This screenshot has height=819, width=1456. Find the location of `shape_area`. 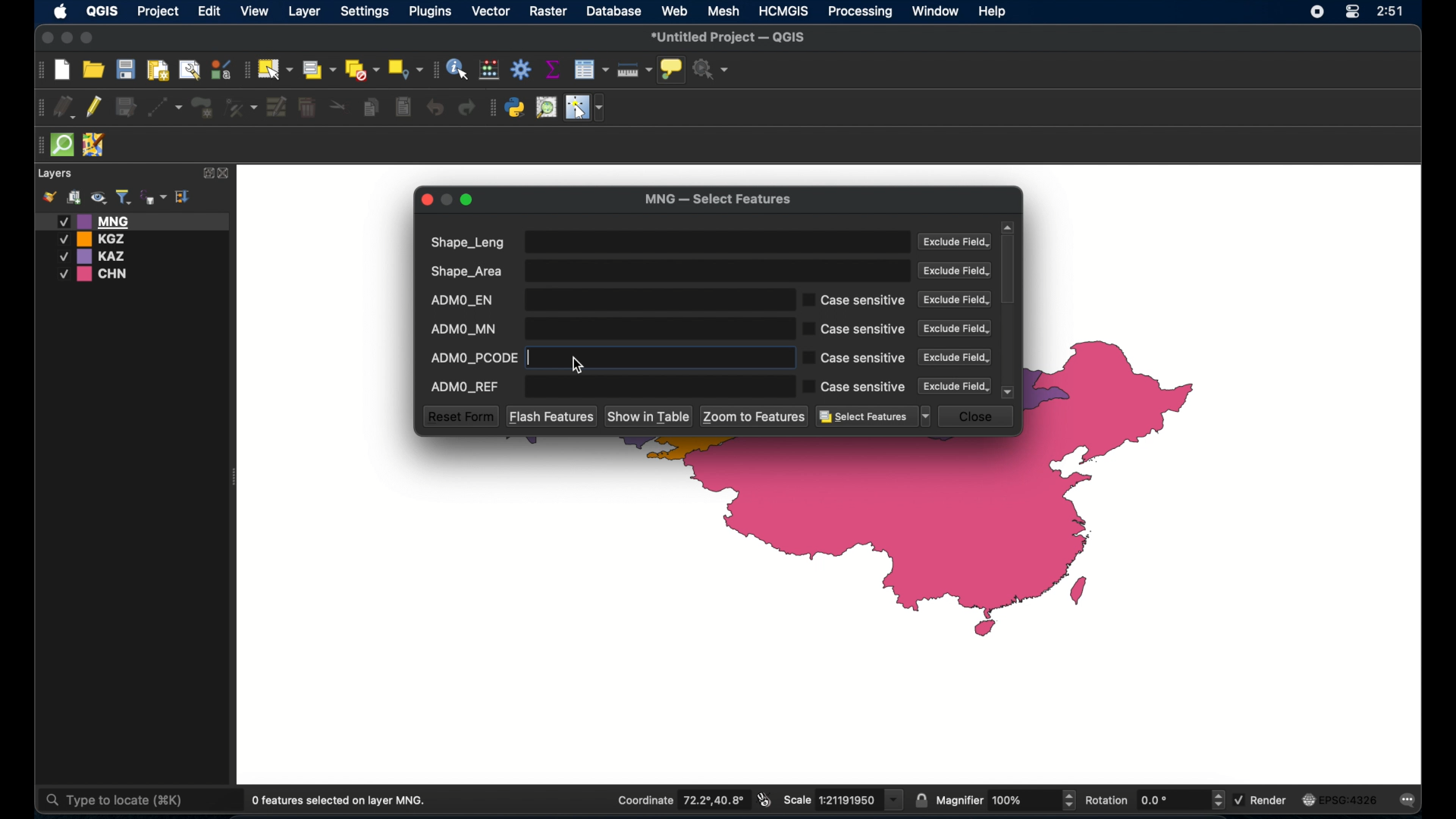

shape_area is located at coordinates (668, 271).